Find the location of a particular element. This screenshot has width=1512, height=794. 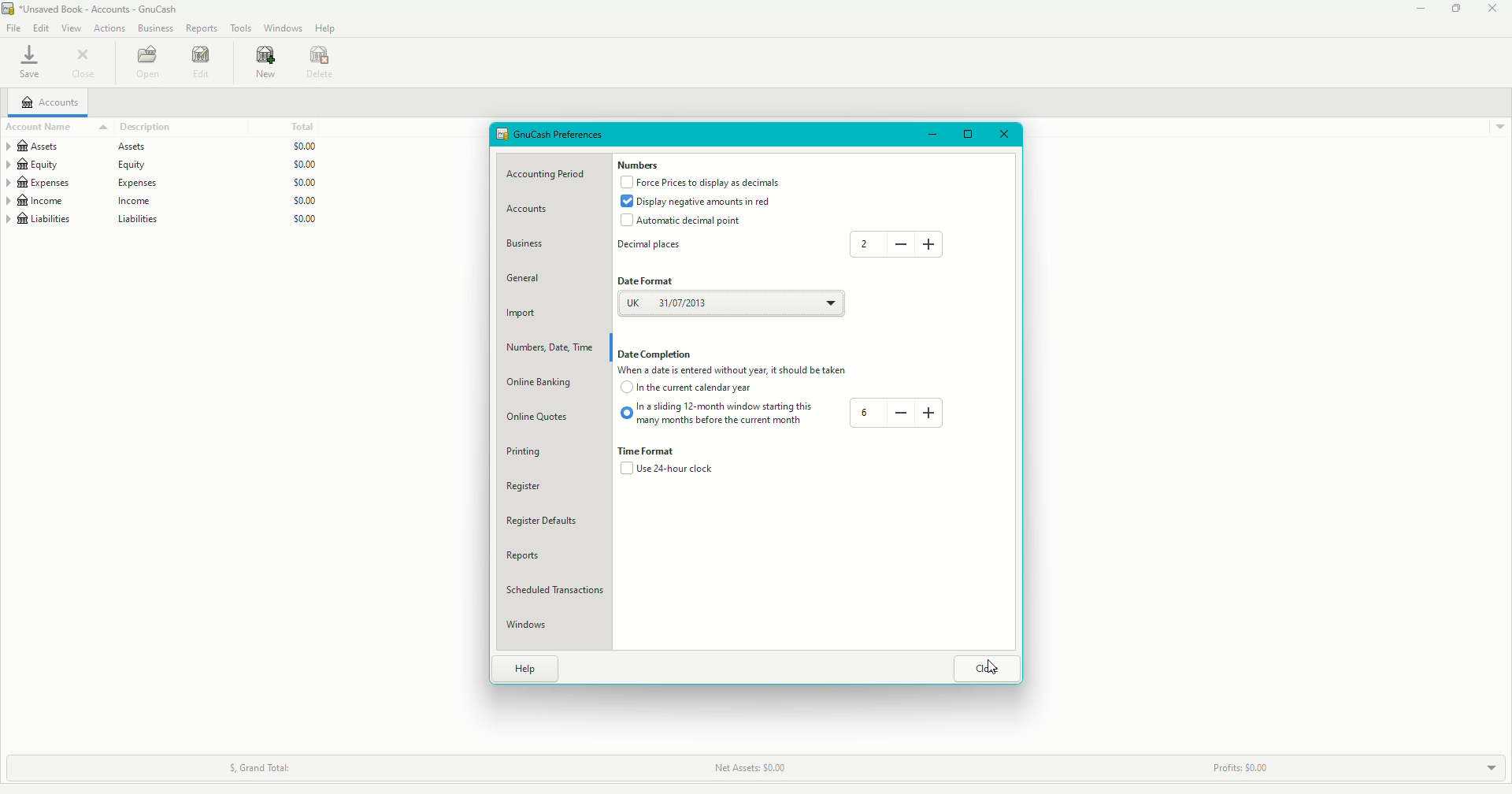

Online Banking is located at coordinates (549, 383).